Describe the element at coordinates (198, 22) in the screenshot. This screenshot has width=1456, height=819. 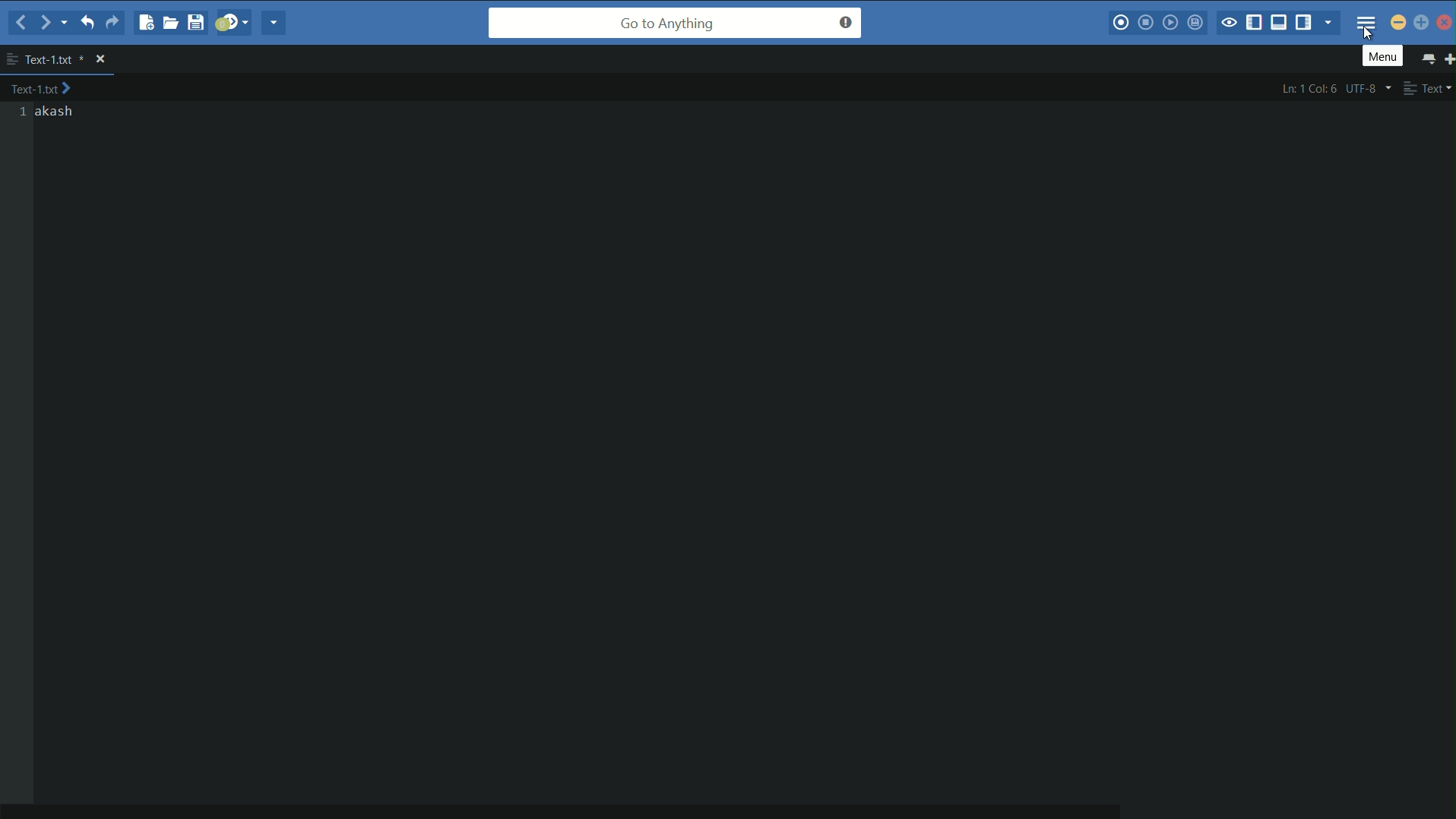
I see `save file` at that location.